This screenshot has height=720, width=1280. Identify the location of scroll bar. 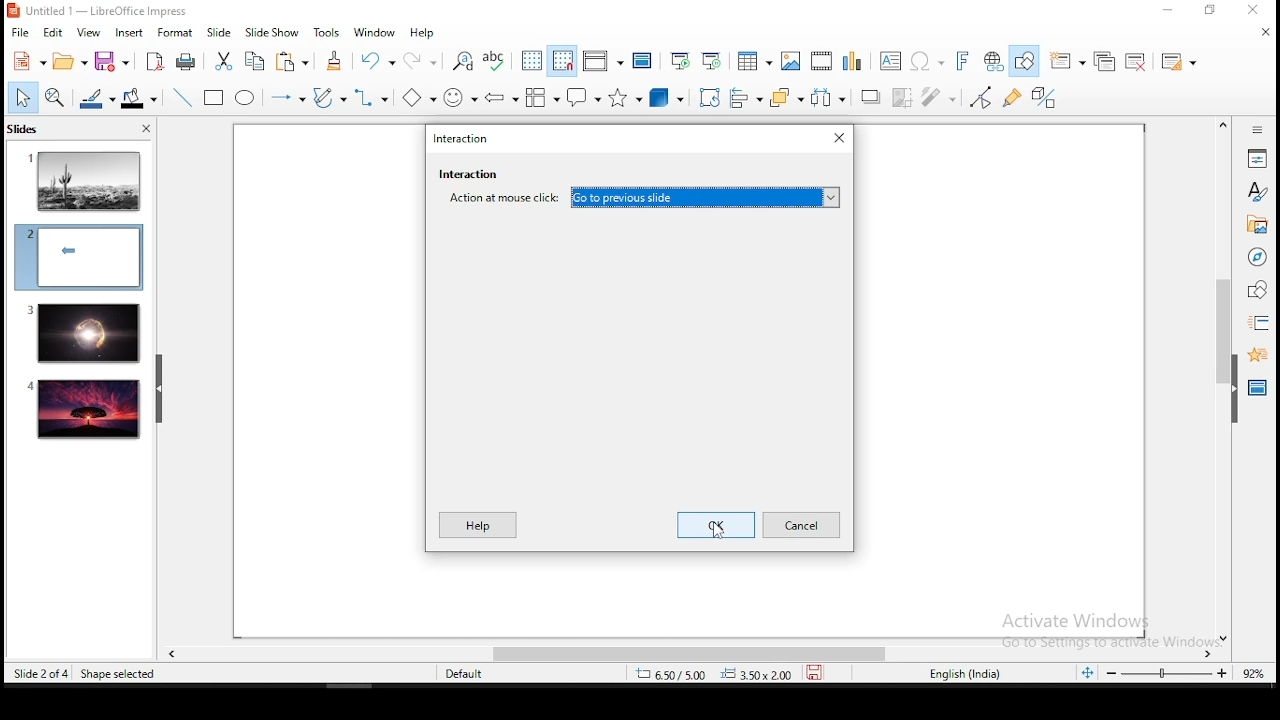
(681, 654).